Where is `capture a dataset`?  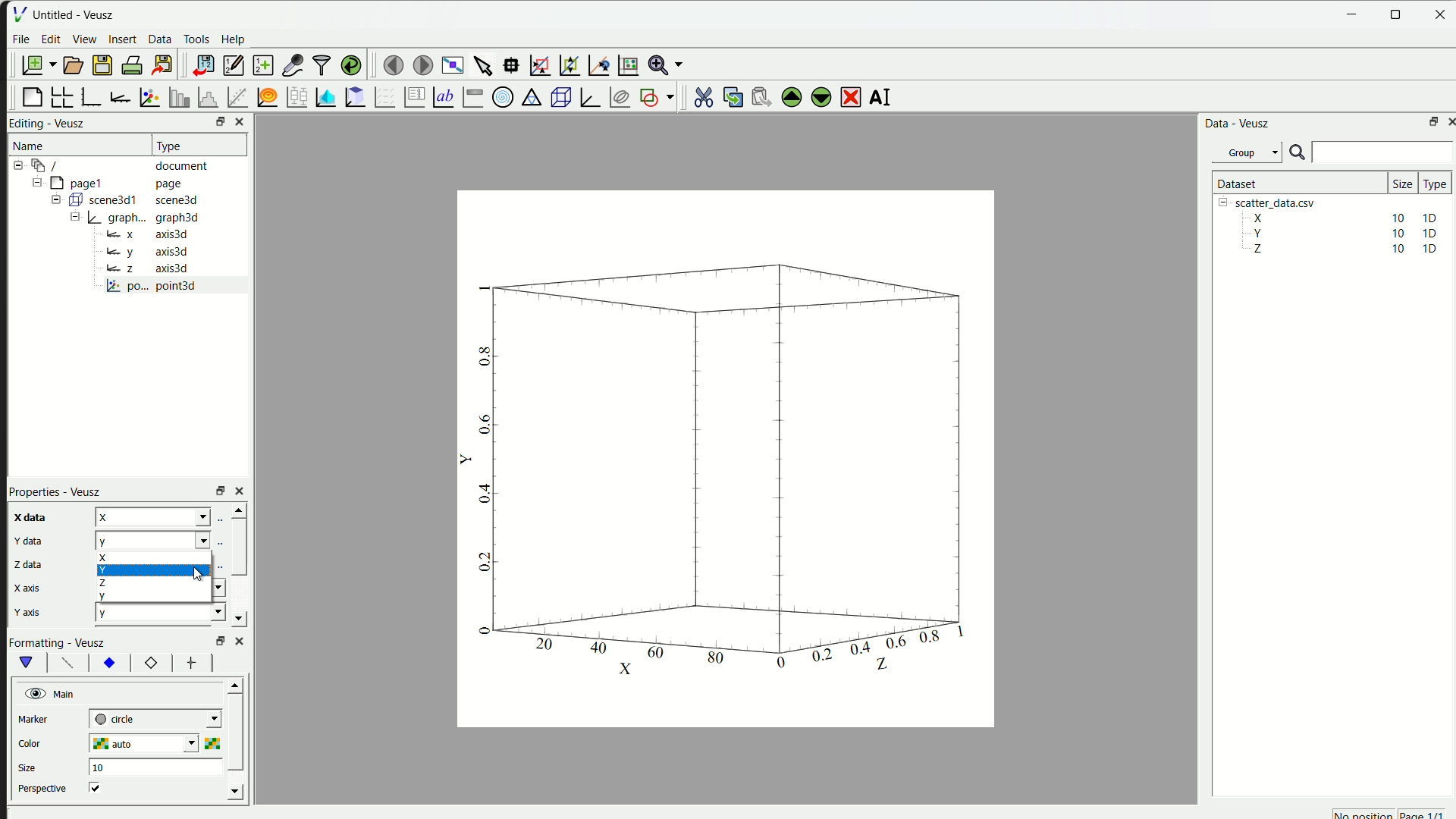 capture a dataset is located at coordinates (292, 63).